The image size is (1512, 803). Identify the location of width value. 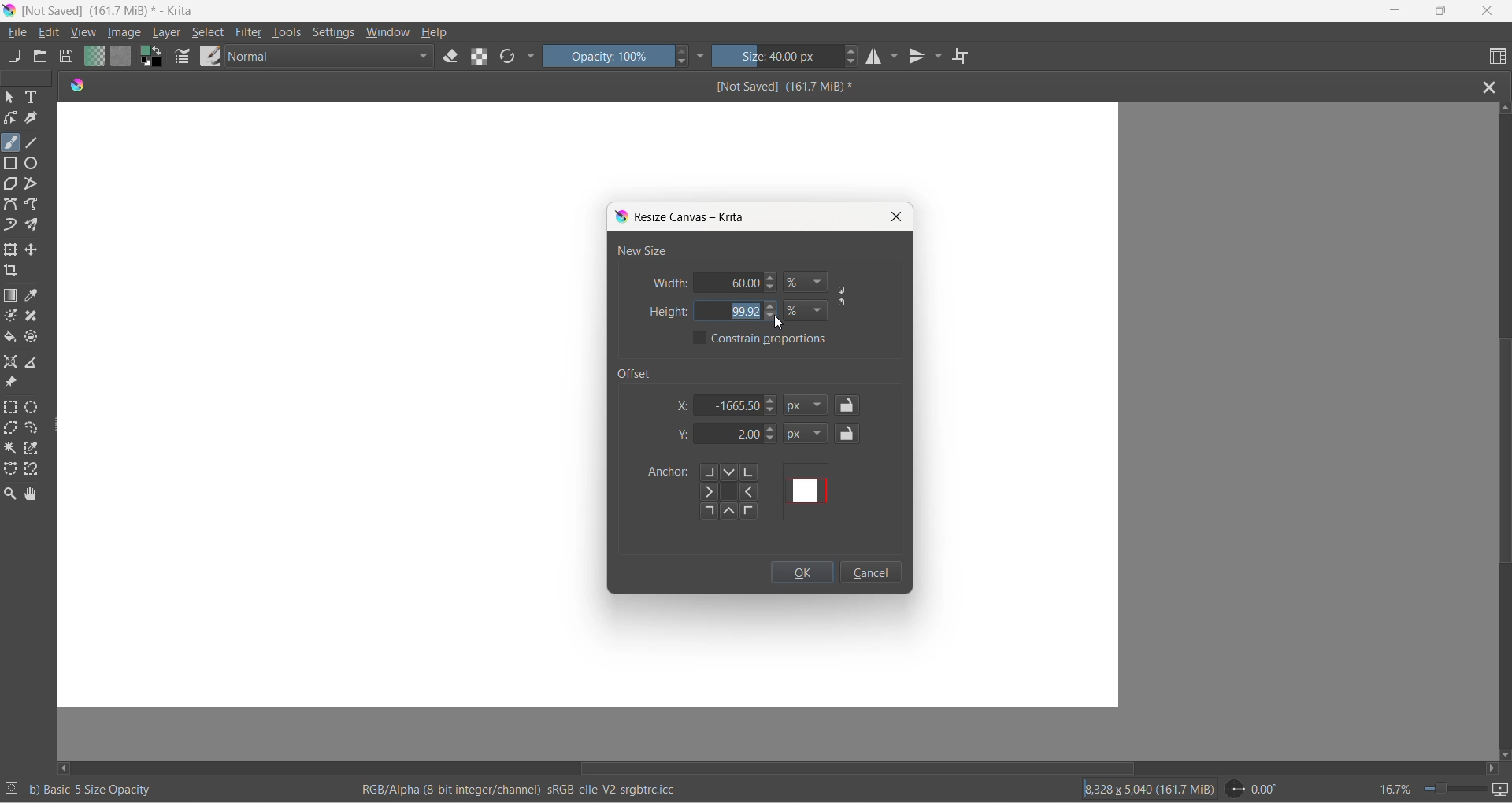
(754, 282).